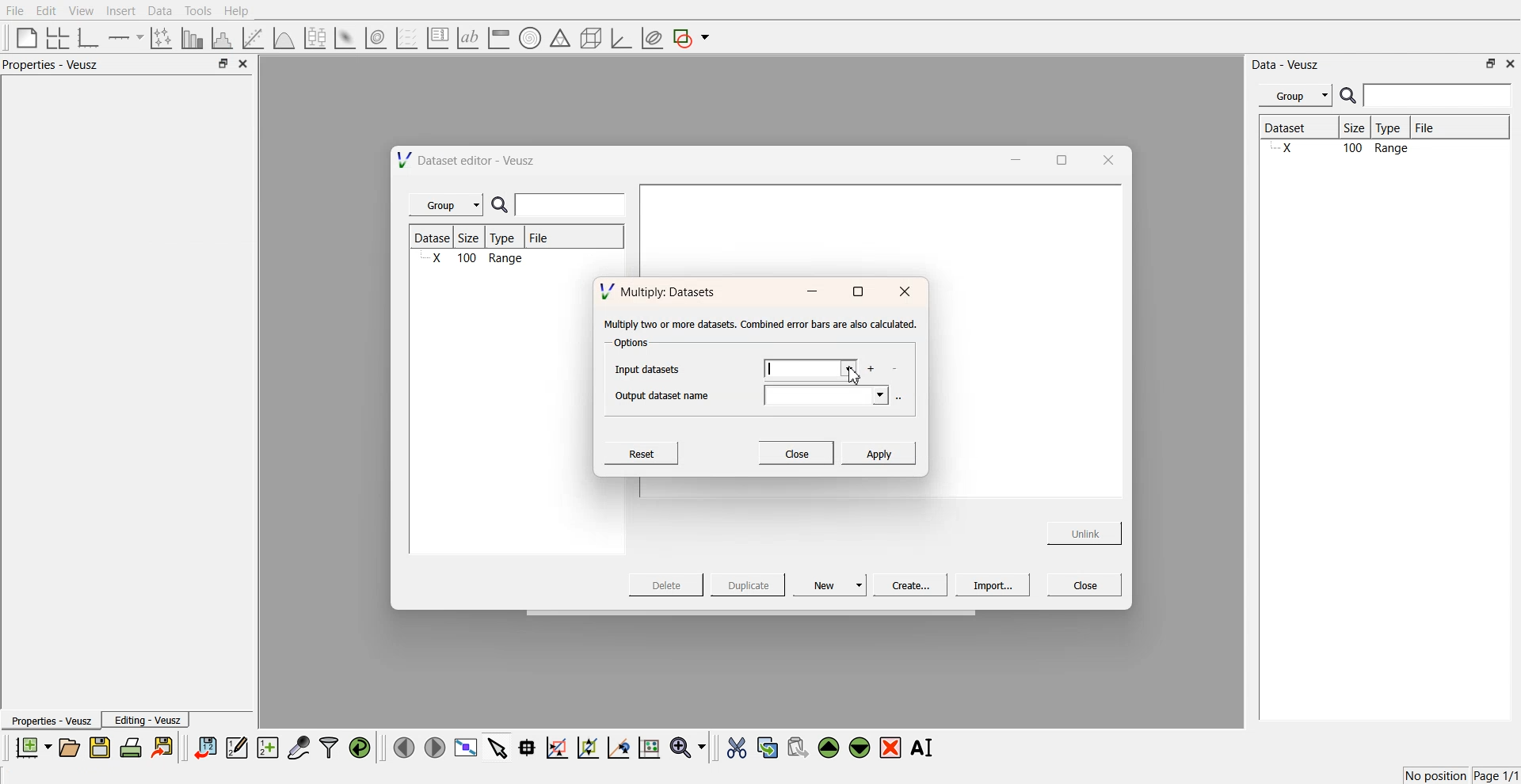  I want to click on plot a function on a graph, so click(284, 36).